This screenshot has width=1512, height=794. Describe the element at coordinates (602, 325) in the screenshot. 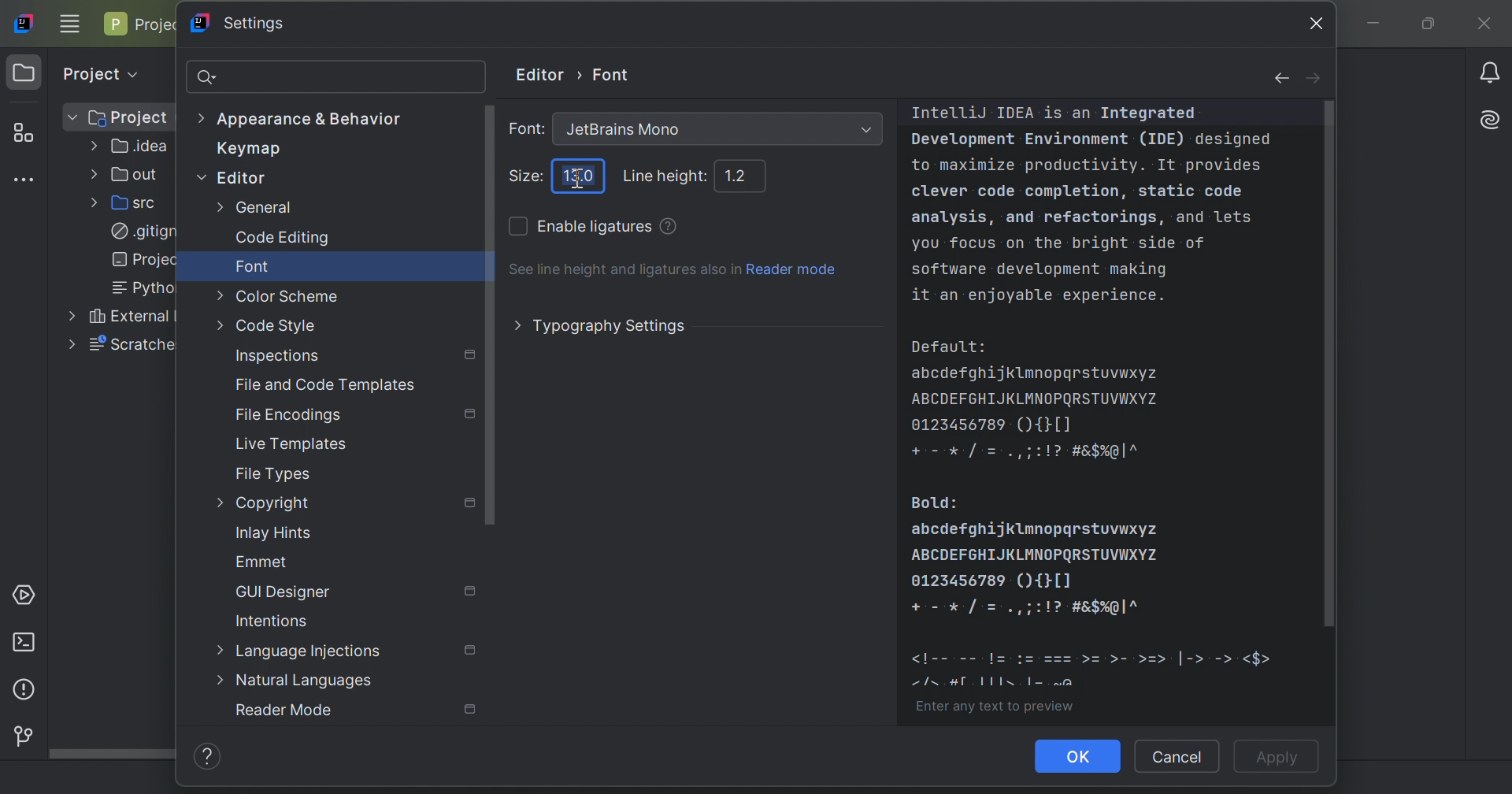

I see `Typography settings` at that location.